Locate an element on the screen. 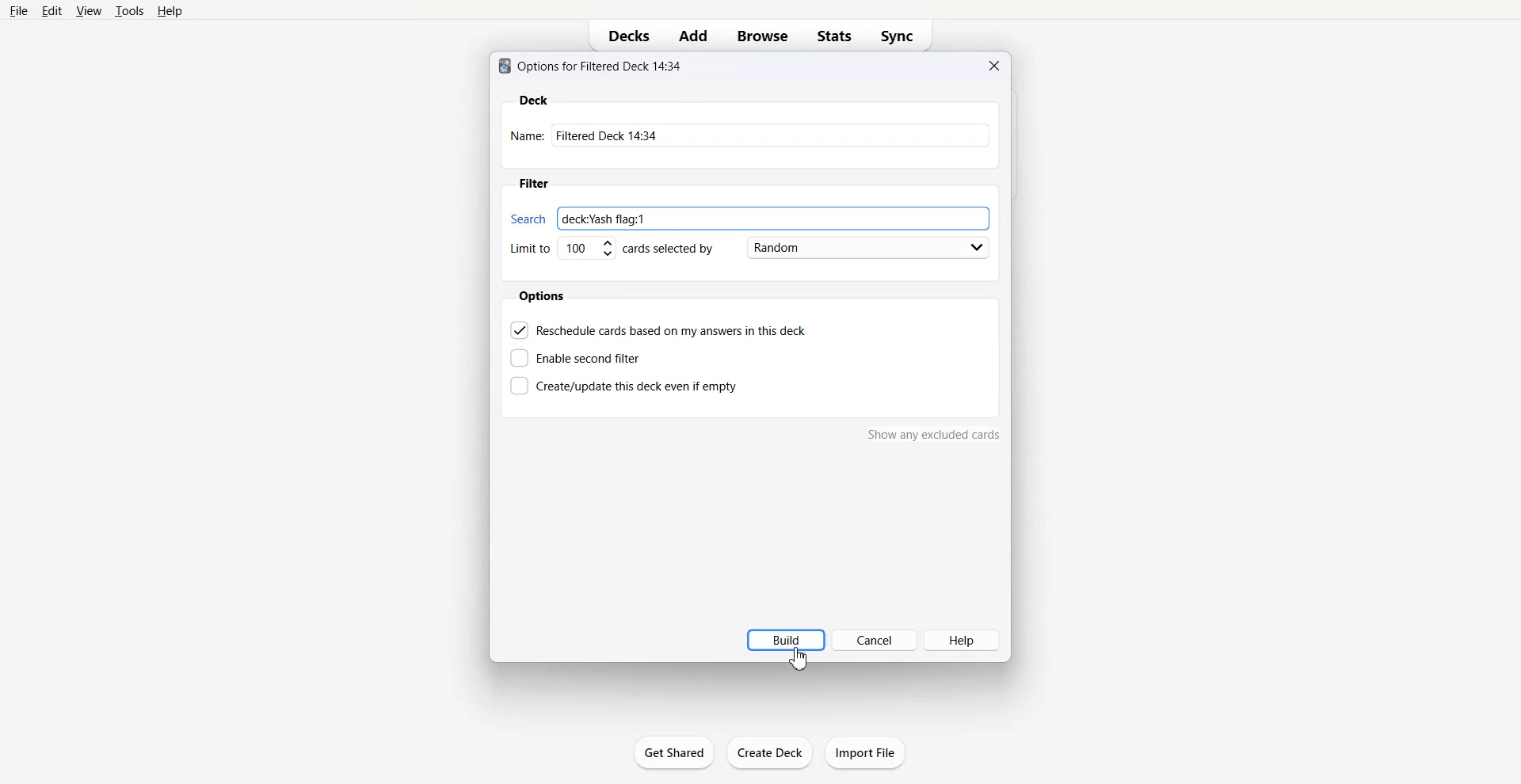  Text 1 is located at coordinates (590, 67).